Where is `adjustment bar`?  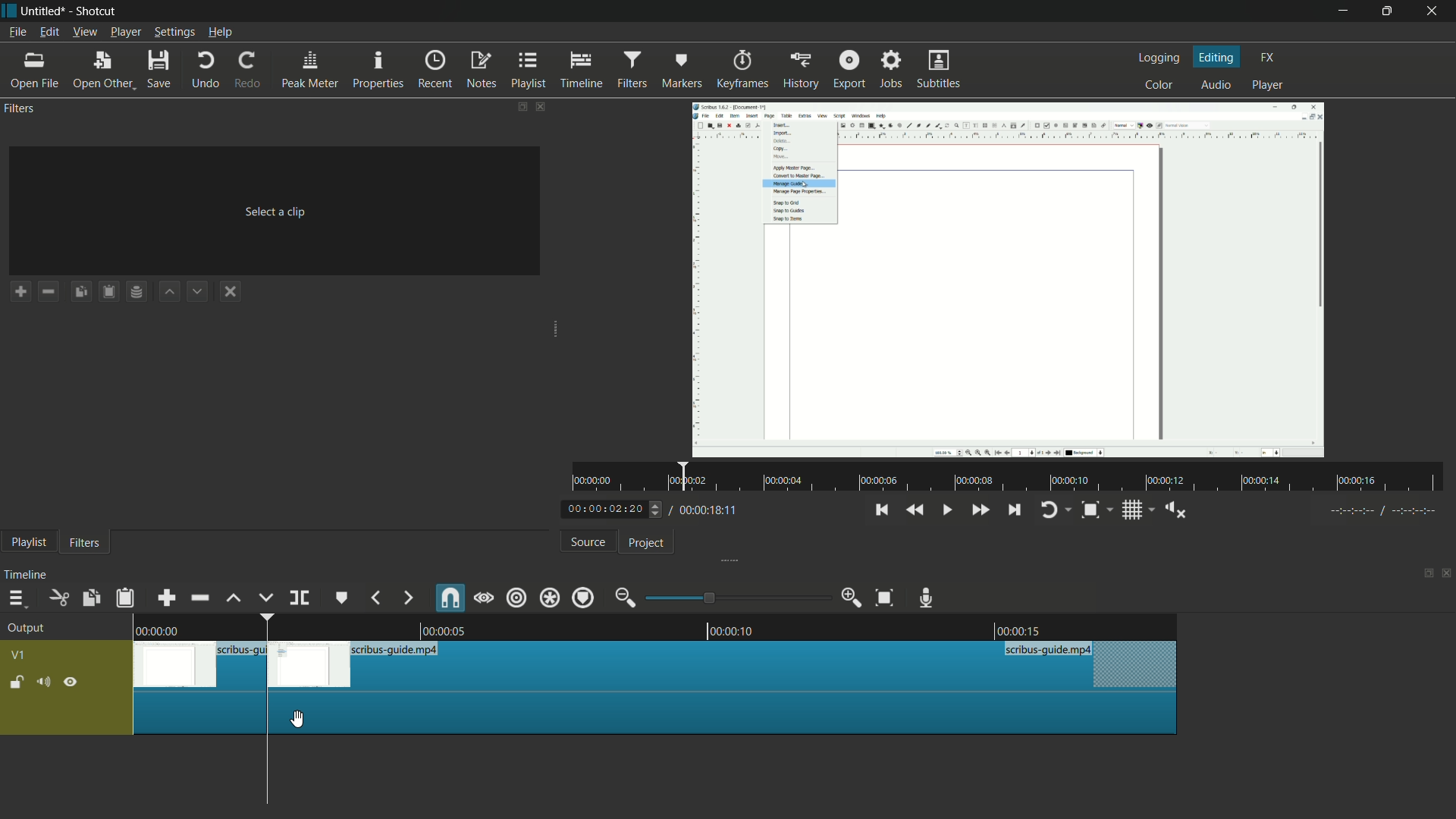
adjustment bar is located at coordinates (737, 598).